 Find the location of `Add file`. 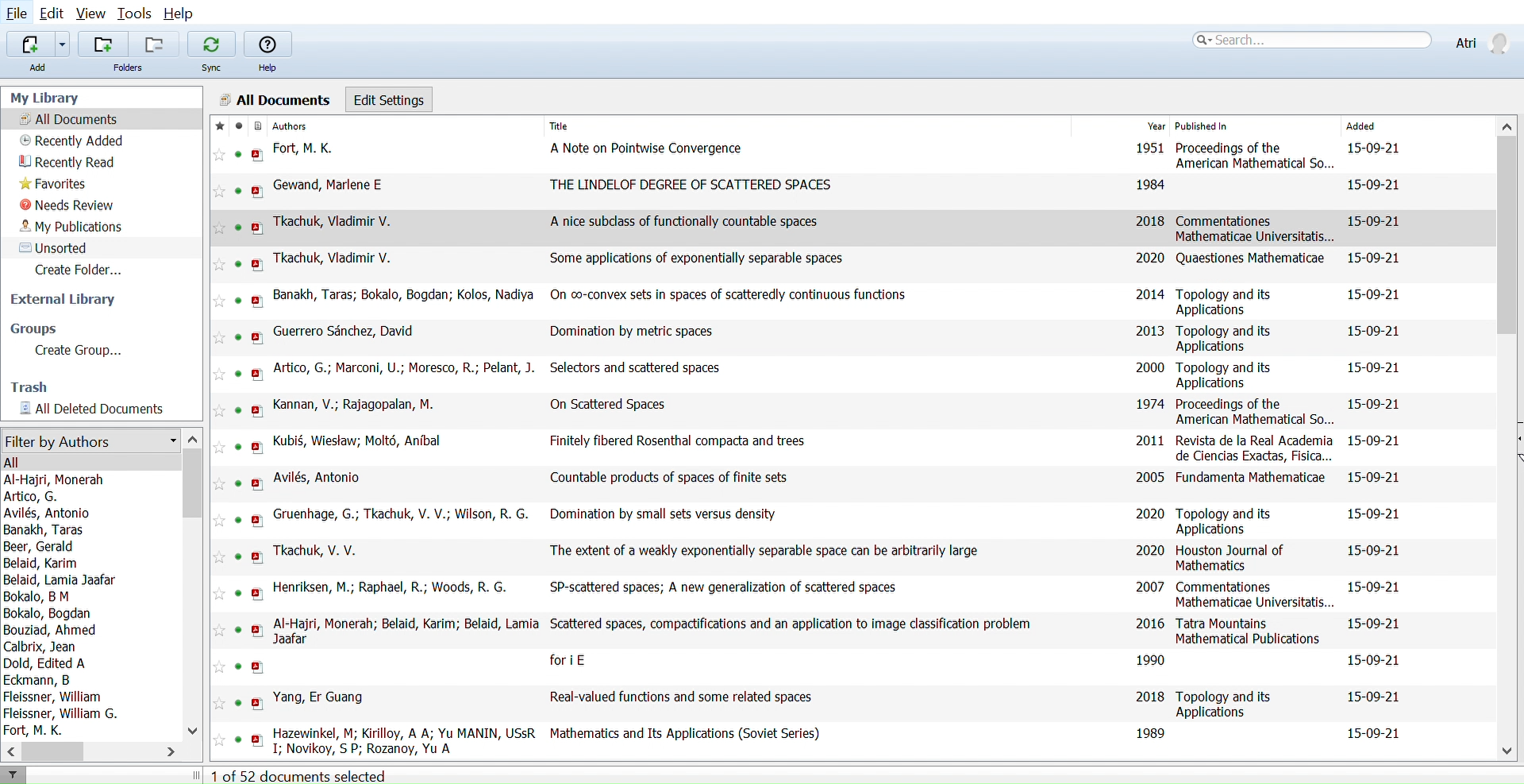

Add file is located at coordinates (30, 44).